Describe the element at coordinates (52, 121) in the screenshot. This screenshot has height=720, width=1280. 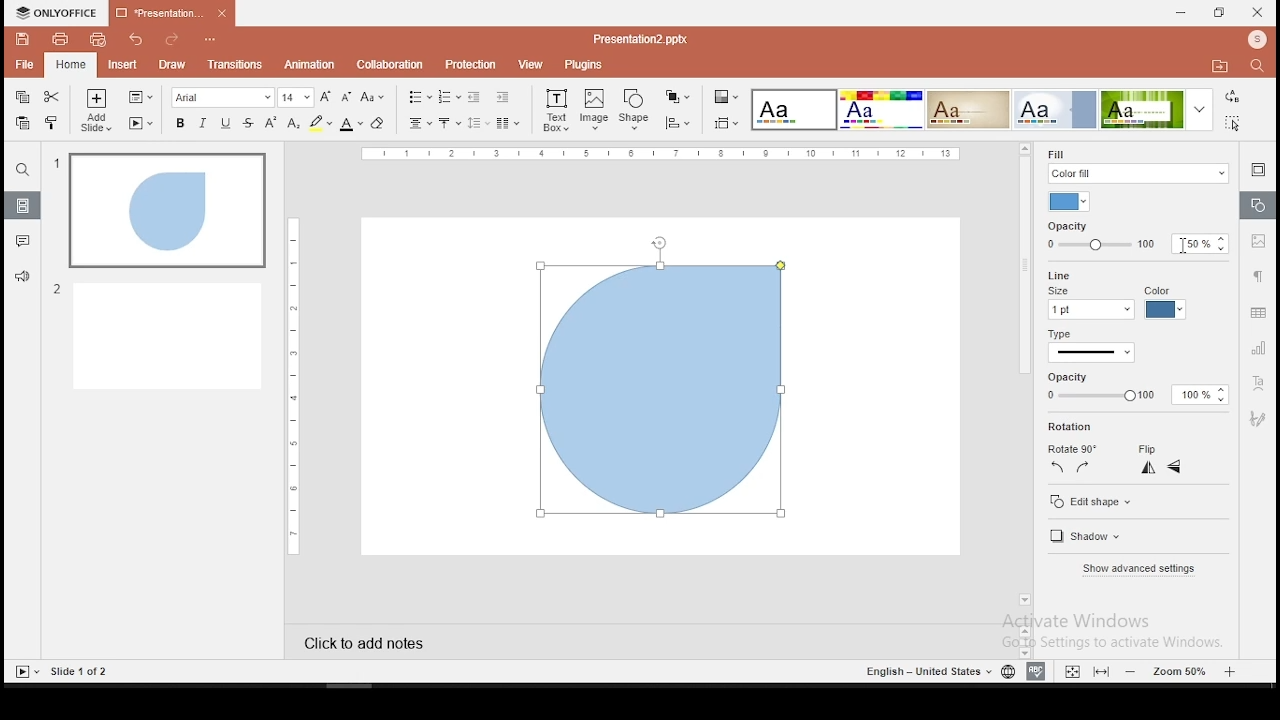
I see `clone formatting` at that location.